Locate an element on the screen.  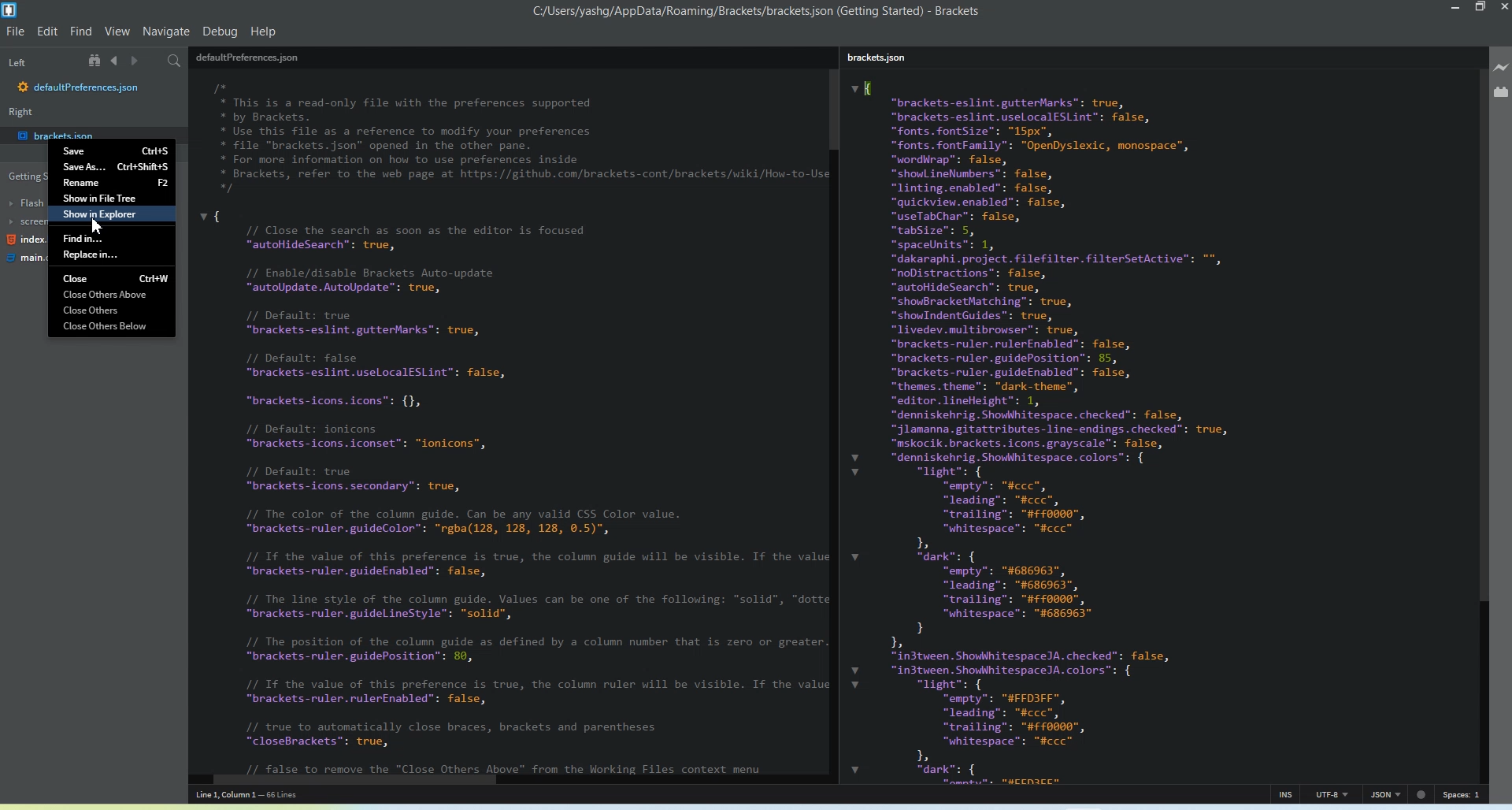
Getting started is located at coordinates (24, 176).